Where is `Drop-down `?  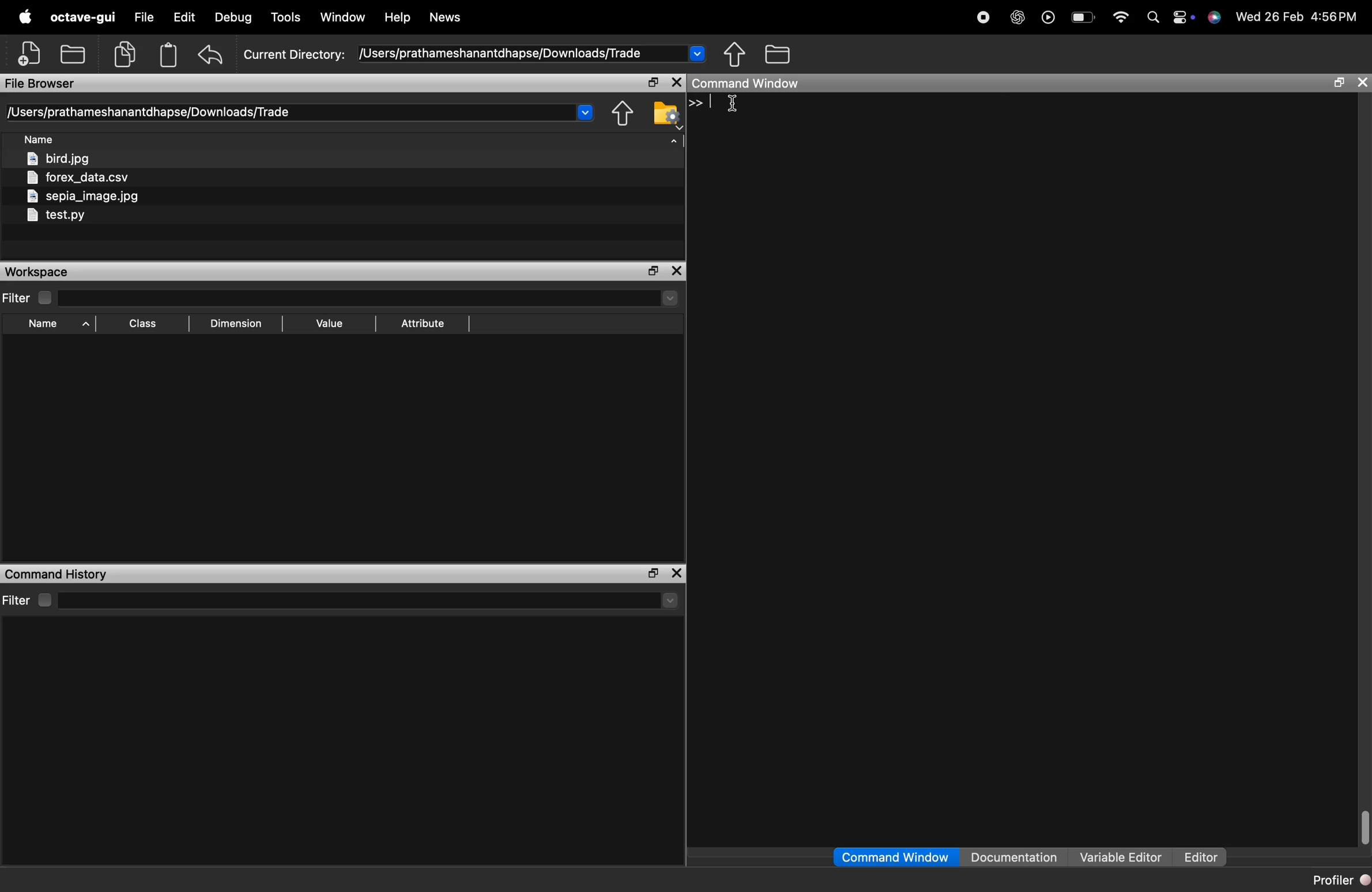
Drop-down  is located at coordinates (698, 52).